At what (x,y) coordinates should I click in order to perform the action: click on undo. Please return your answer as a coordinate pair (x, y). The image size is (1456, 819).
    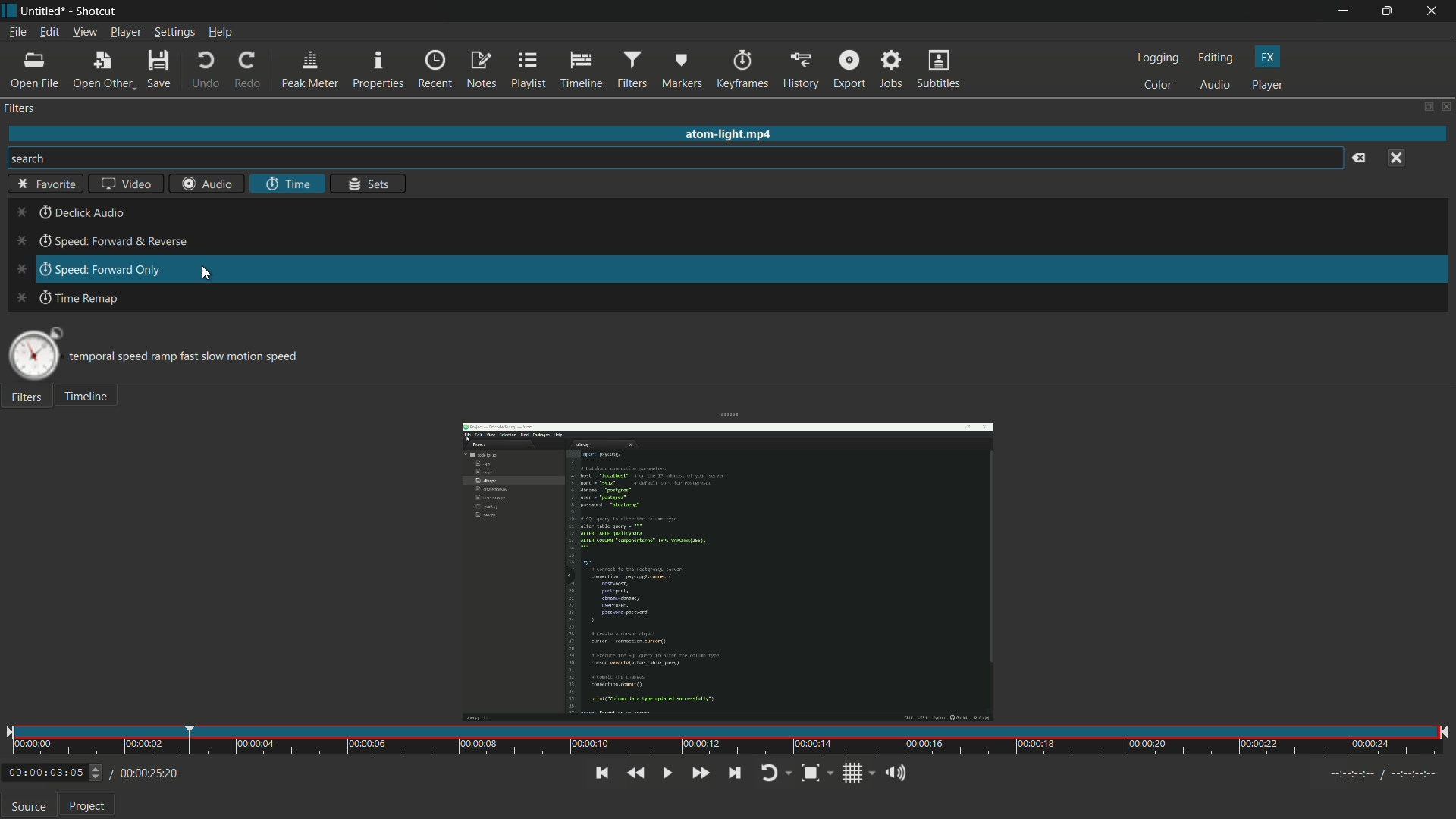
    Looking at the image, I should click on (206, 71).